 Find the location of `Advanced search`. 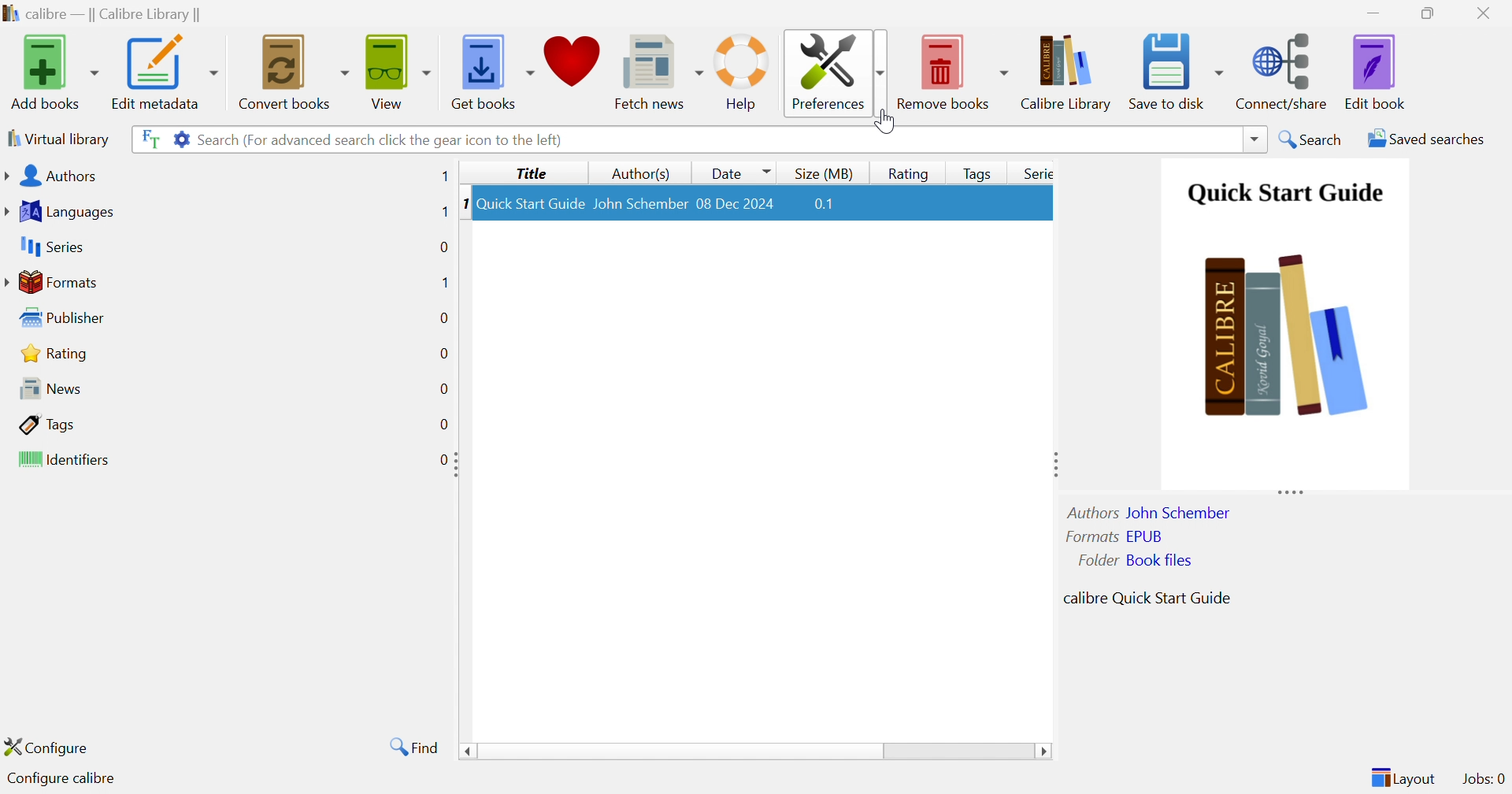

Advanced search is located at coordinates (180, 137).